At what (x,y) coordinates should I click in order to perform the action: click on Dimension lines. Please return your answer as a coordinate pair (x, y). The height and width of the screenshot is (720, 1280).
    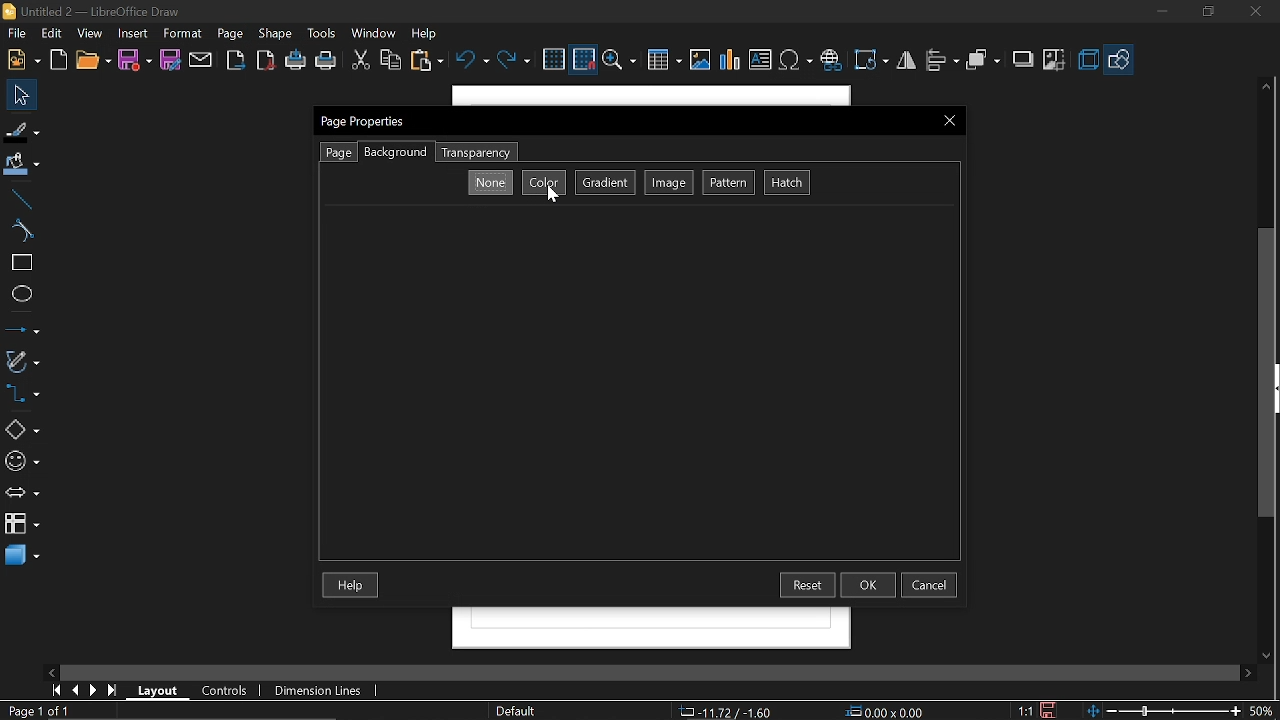
    Looking at the image, I should click on (314, 688).